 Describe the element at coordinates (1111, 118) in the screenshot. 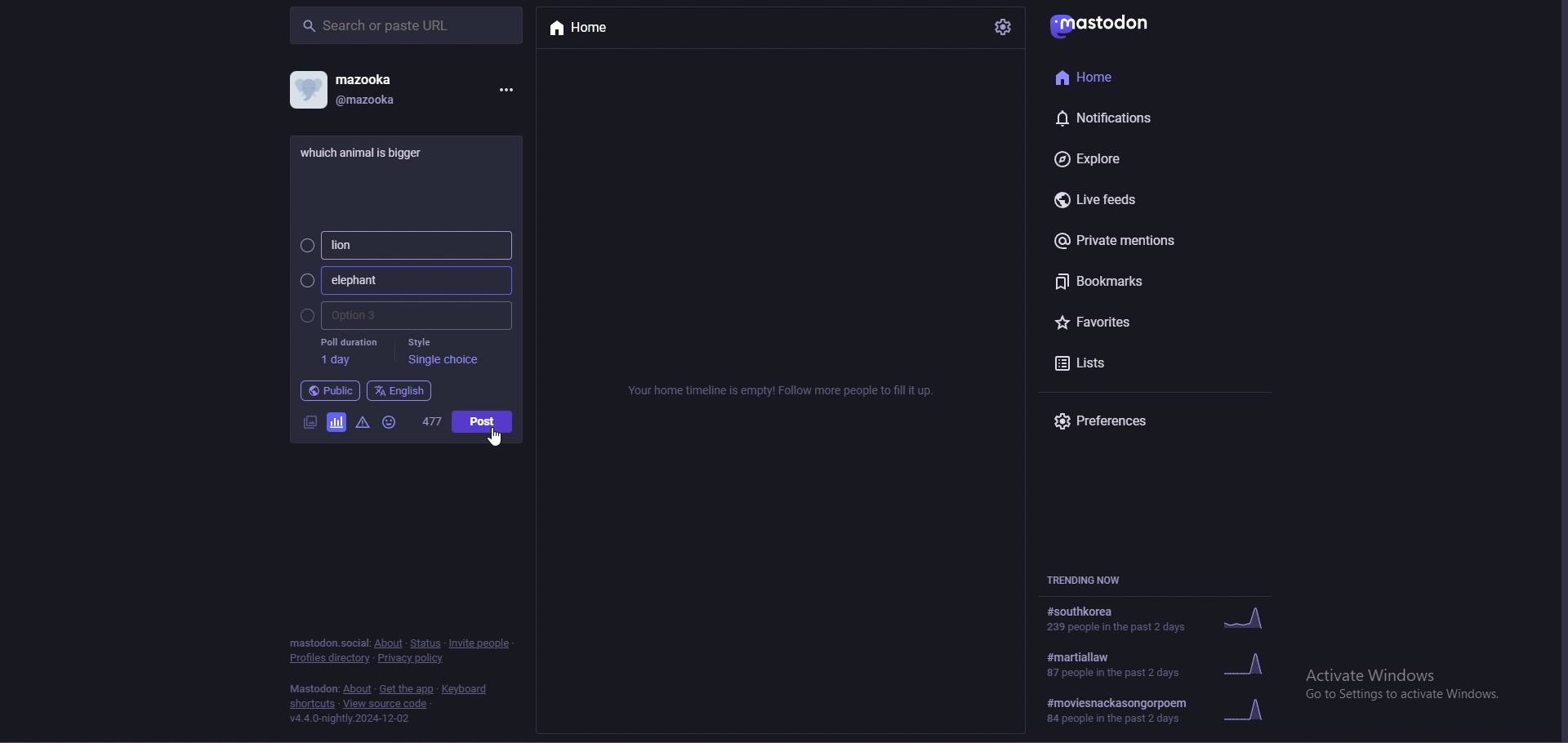

I see `notifications` at that location.